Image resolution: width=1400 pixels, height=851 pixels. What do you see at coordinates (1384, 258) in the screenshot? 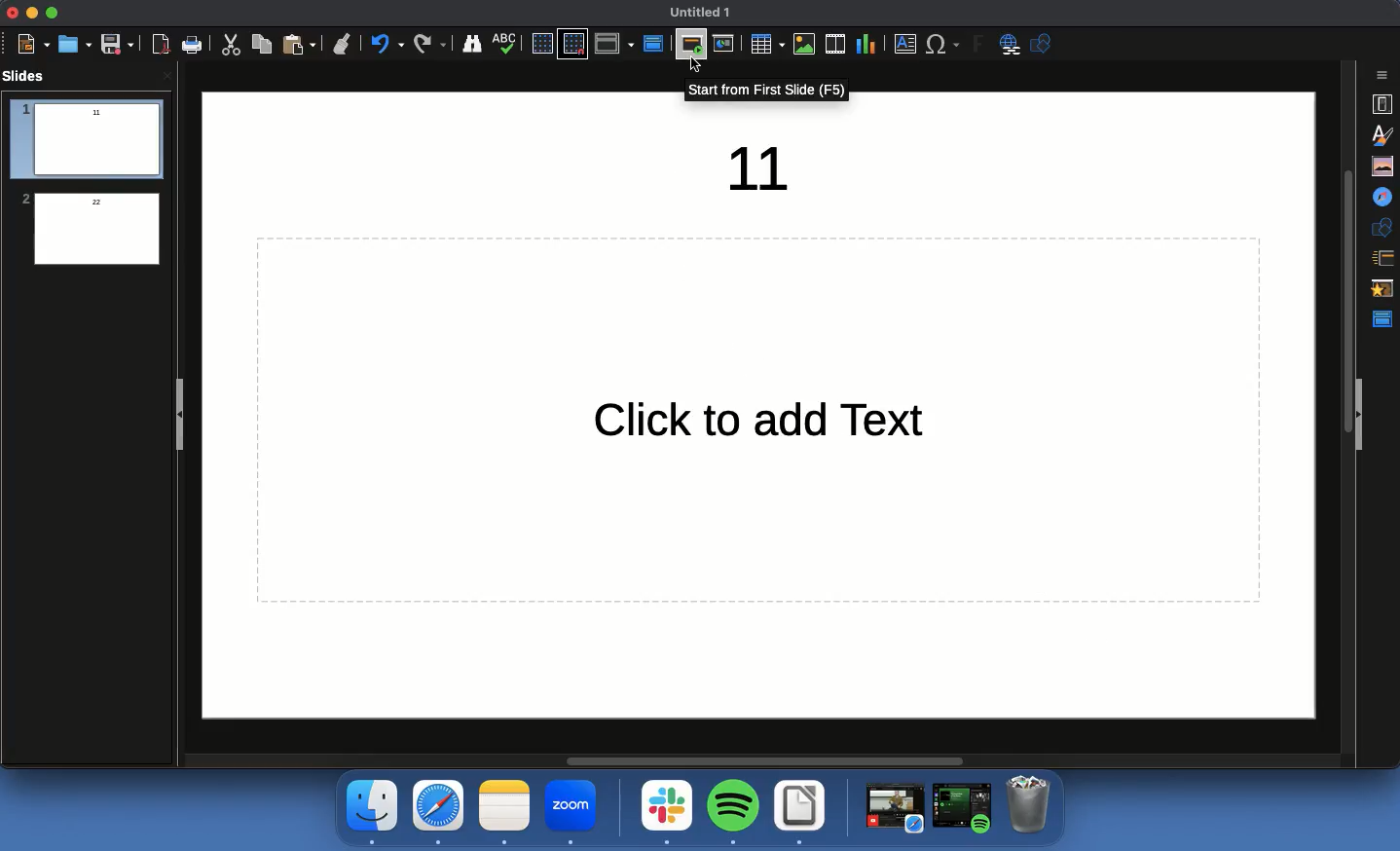
I see `Slide transition` at bounding box center [1384, 258].